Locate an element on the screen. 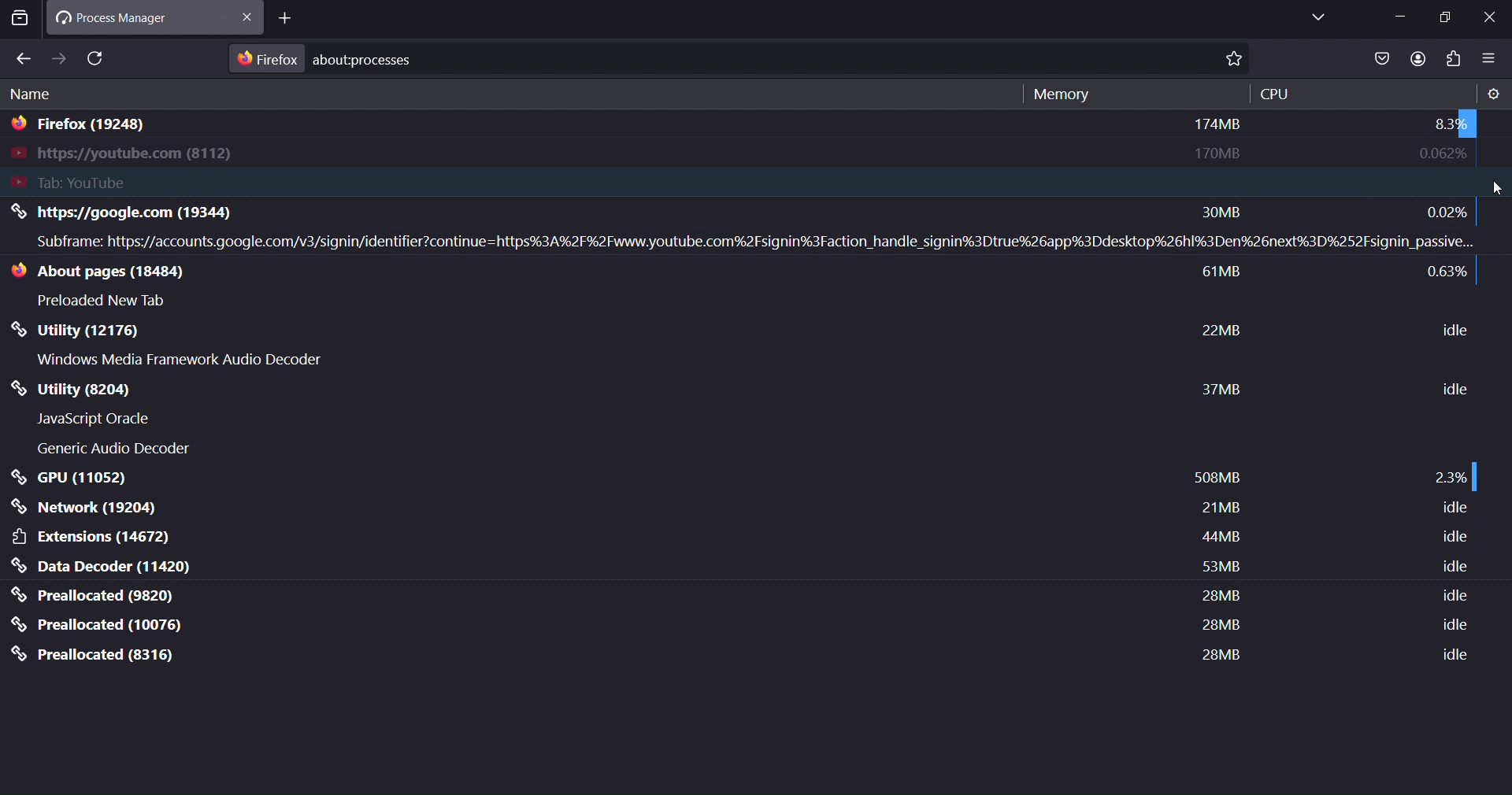 The width and height of the screenshot is (1512, 795). idle is located at coordinates (1453, 629).